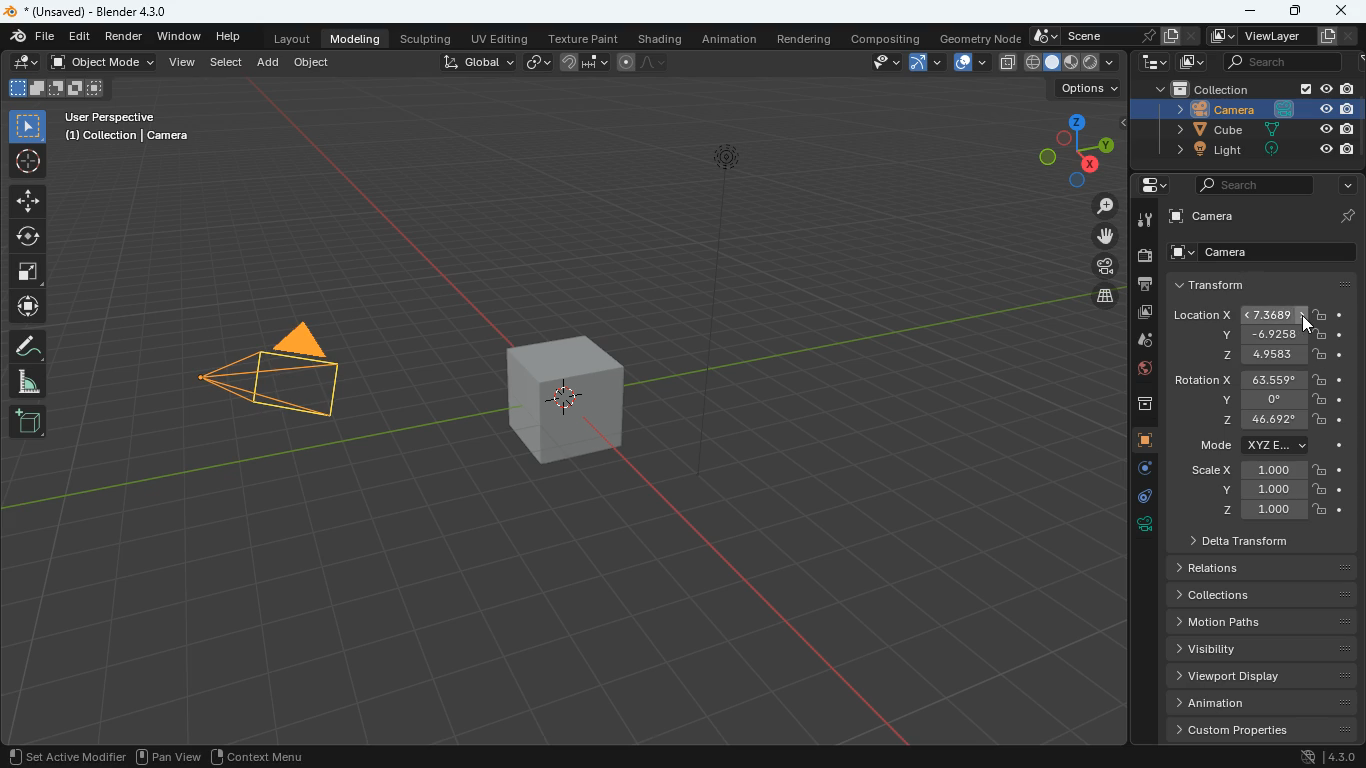  Describe the element at coordinates (171, 755) in the screenshot. I see `pan view` at that location.